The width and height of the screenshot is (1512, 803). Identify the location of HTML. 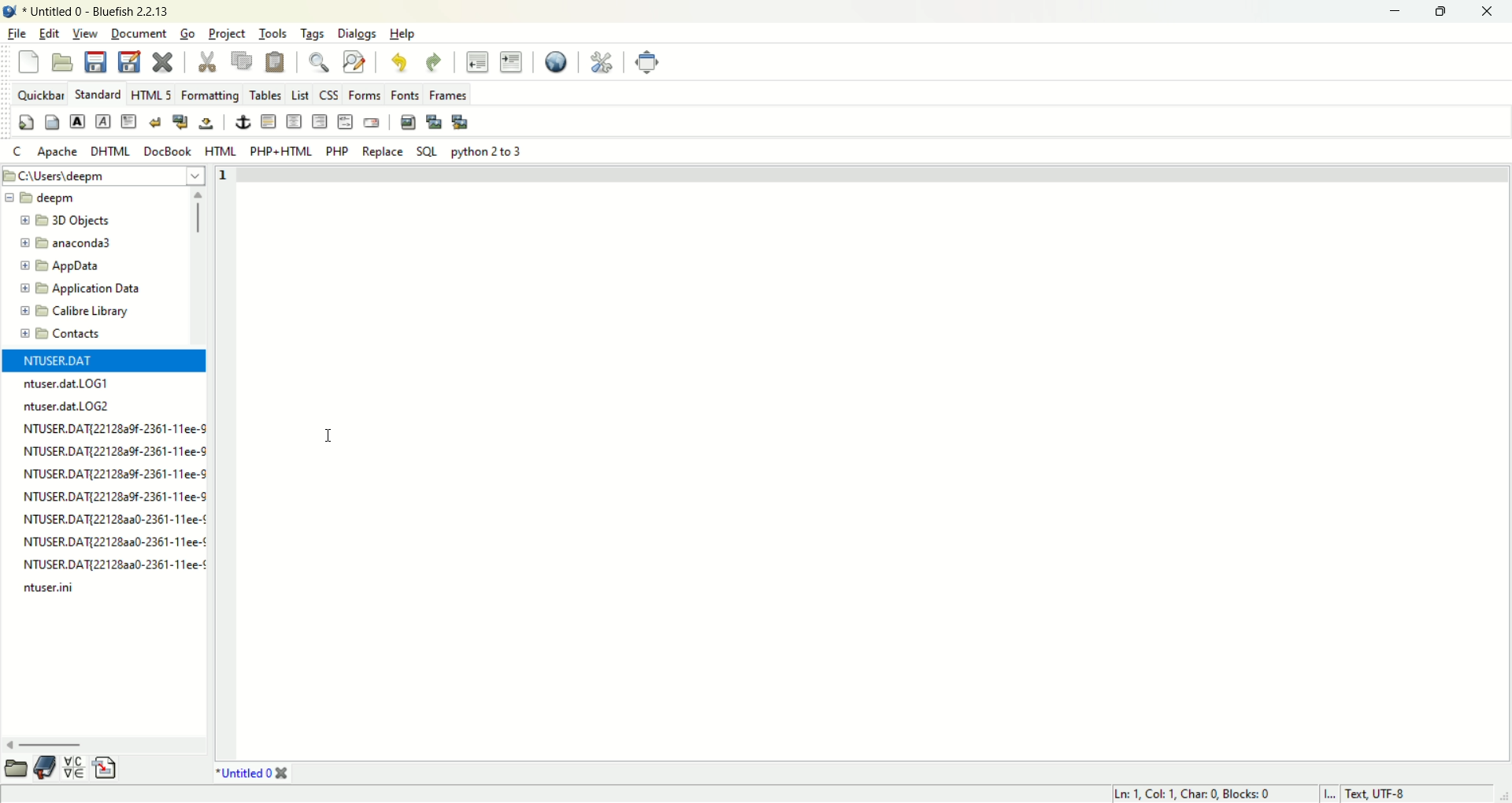
(221, 150).